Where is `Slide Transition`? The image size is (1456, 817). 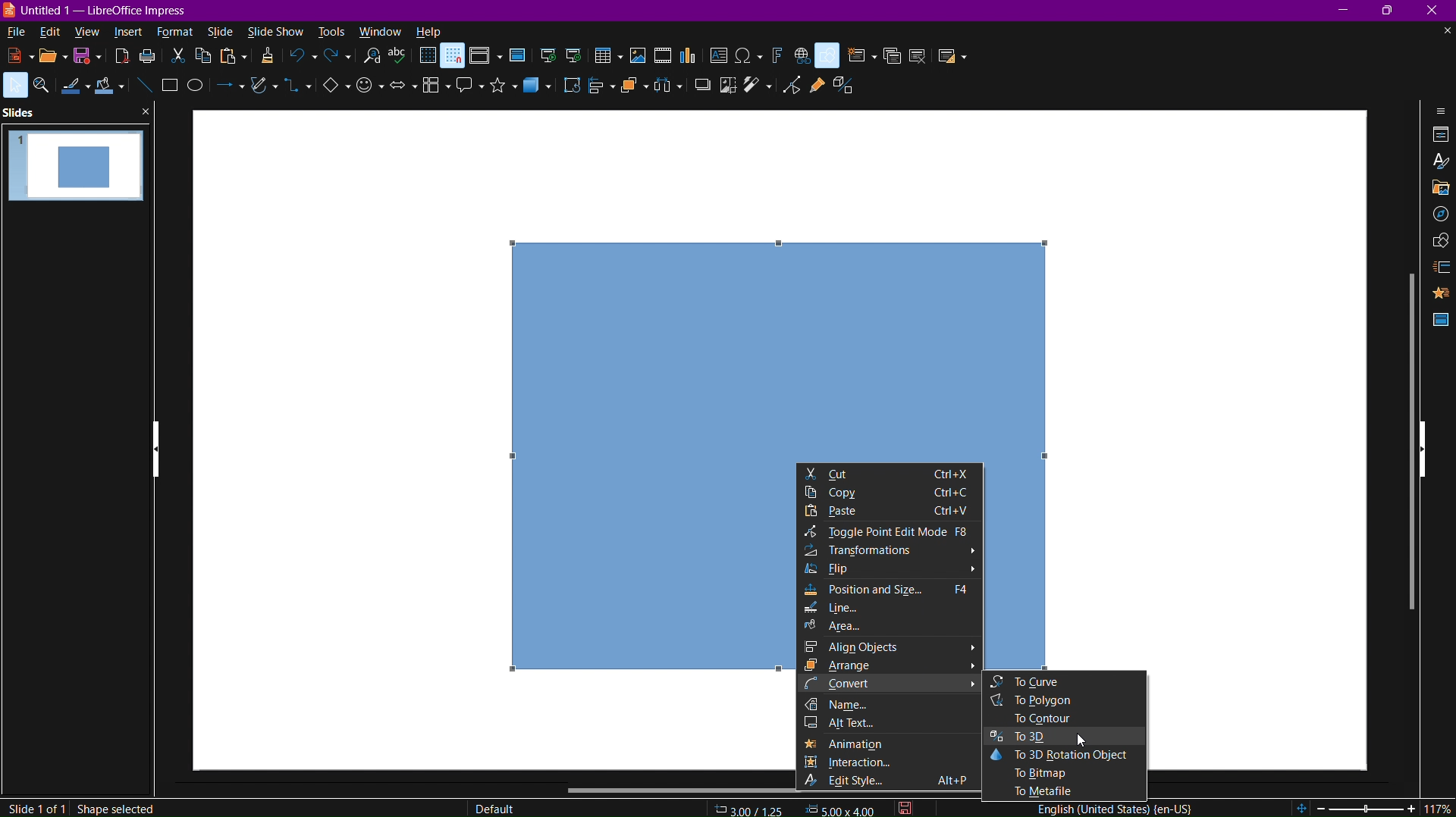 Slide Transition is located at coordinates (1439, 267).